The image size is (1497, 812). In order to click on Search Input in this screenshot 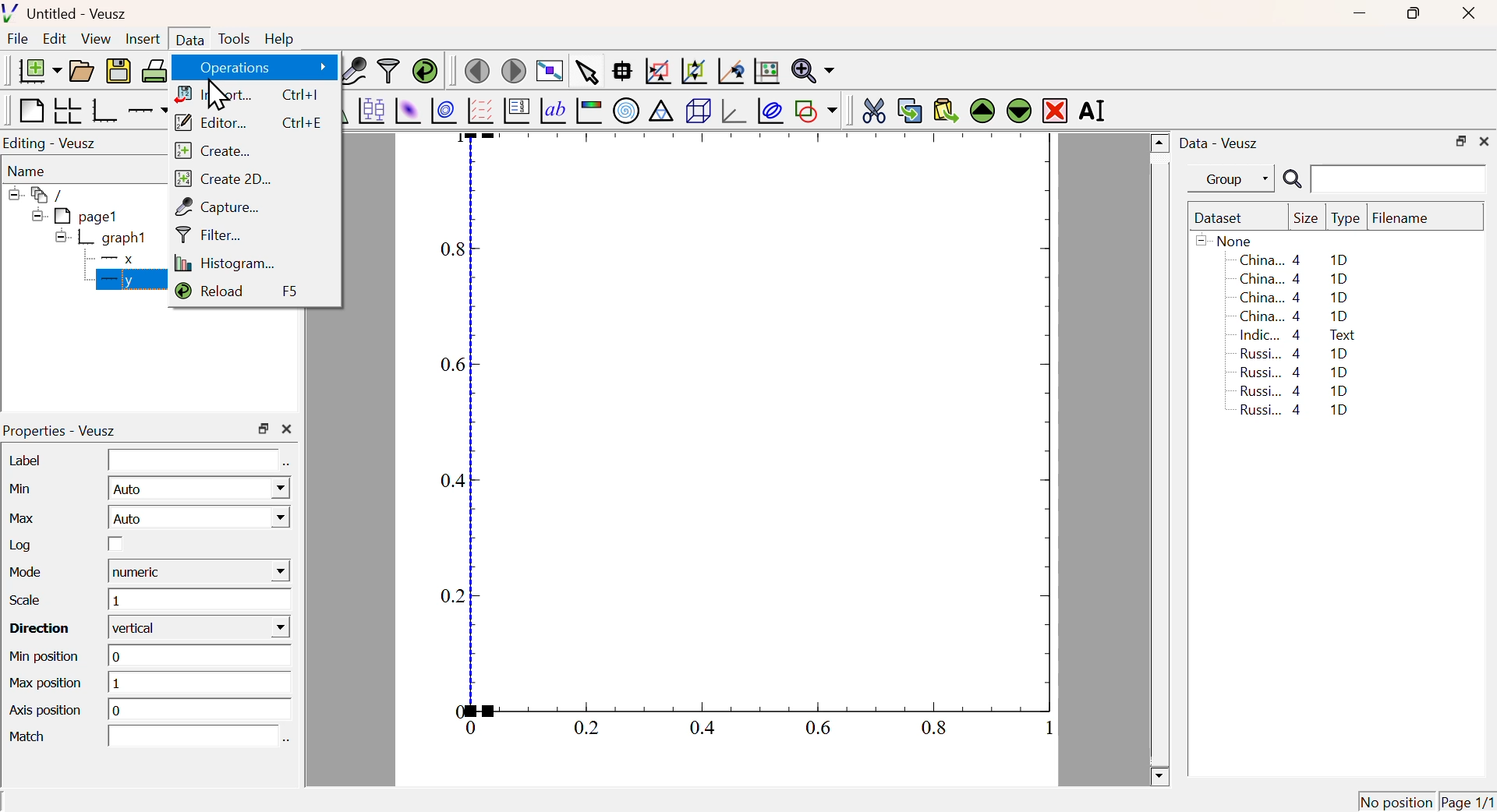, I will do `click(1400, 178)`.